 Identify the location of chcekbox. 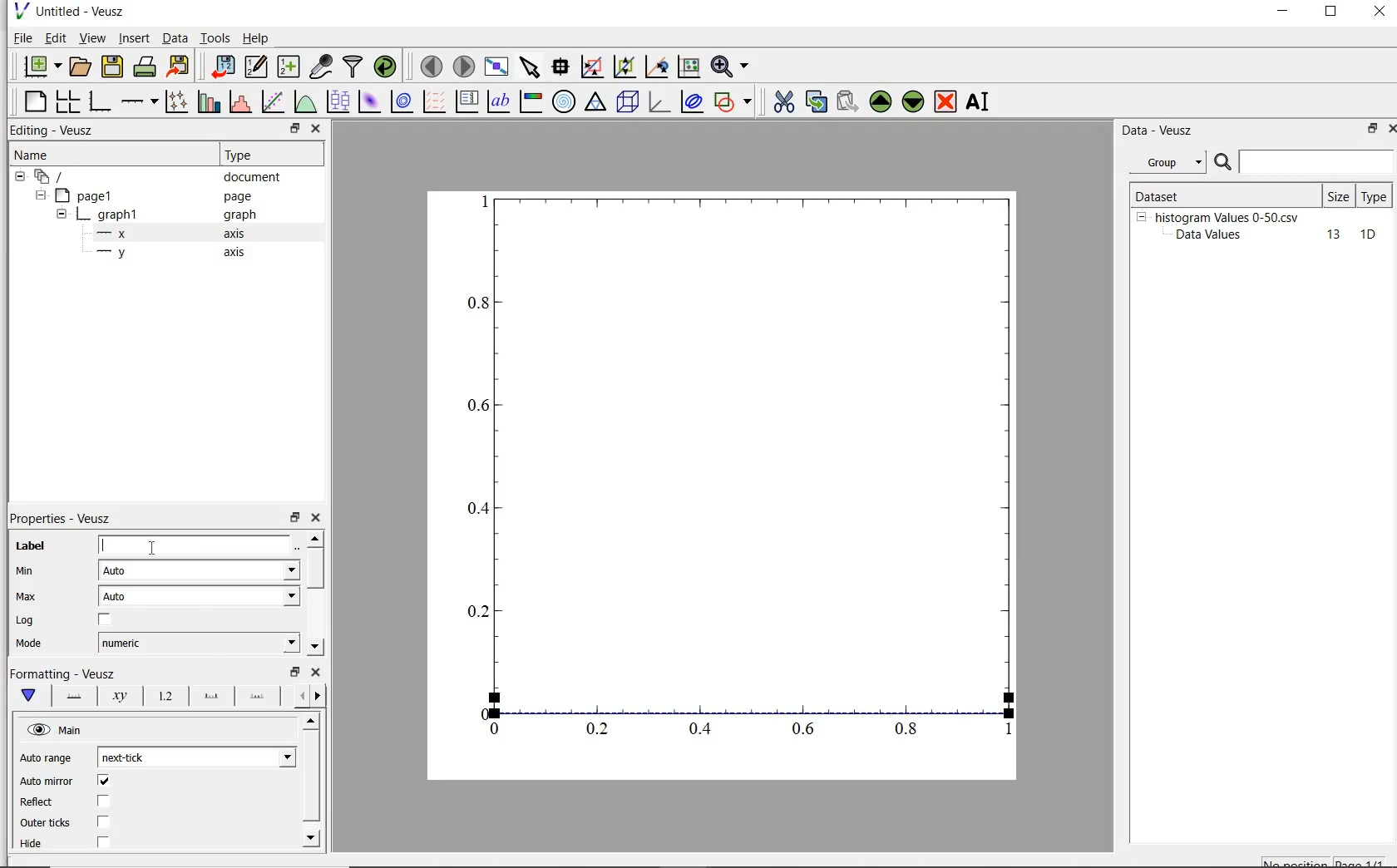
(106, 620).